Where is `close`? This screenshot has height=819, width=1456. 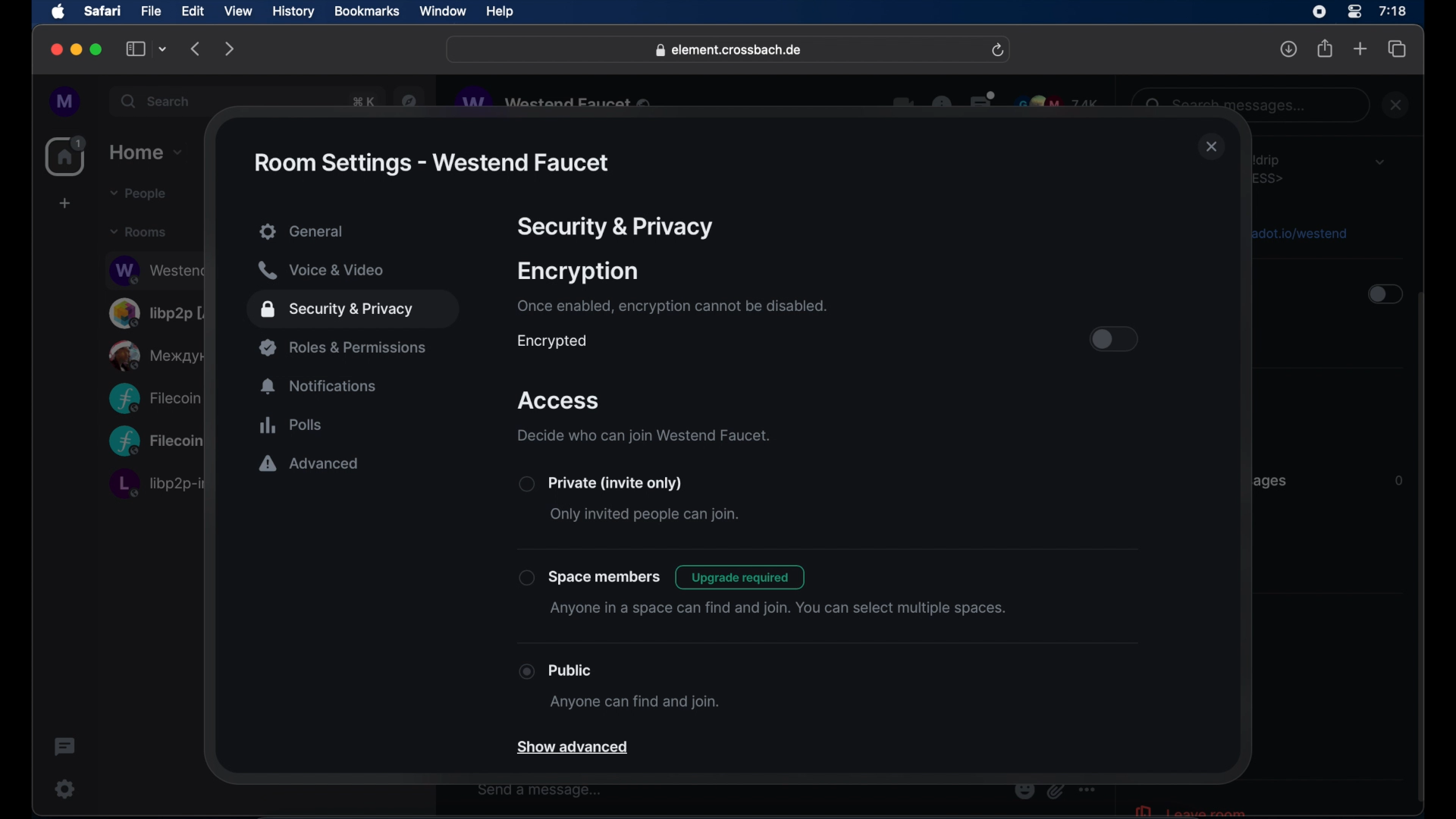 close is located at coordinates (55, 50).